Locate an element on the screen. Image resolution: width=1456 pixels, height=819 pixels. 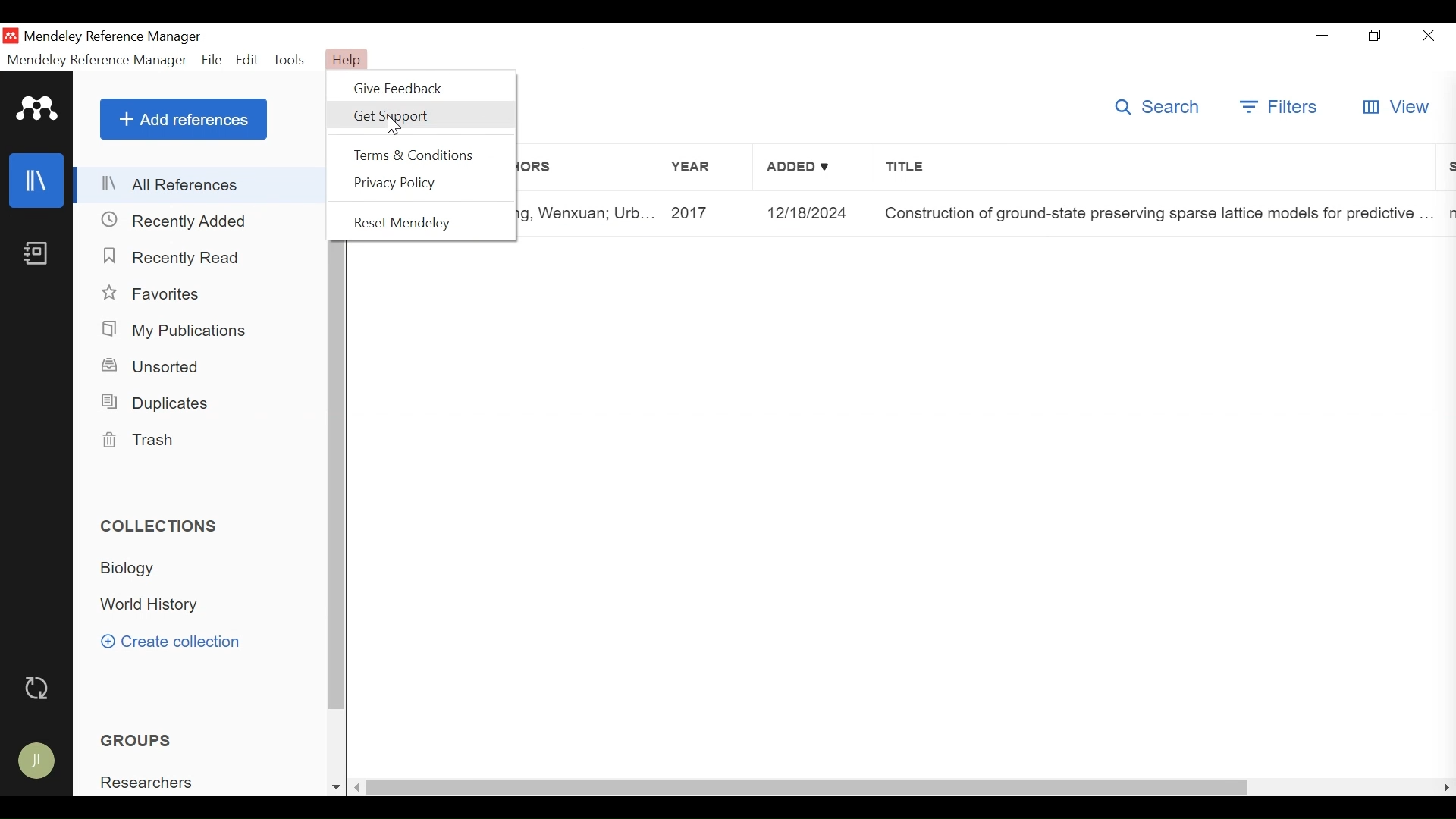
Group is located at coordinates (148, 781).